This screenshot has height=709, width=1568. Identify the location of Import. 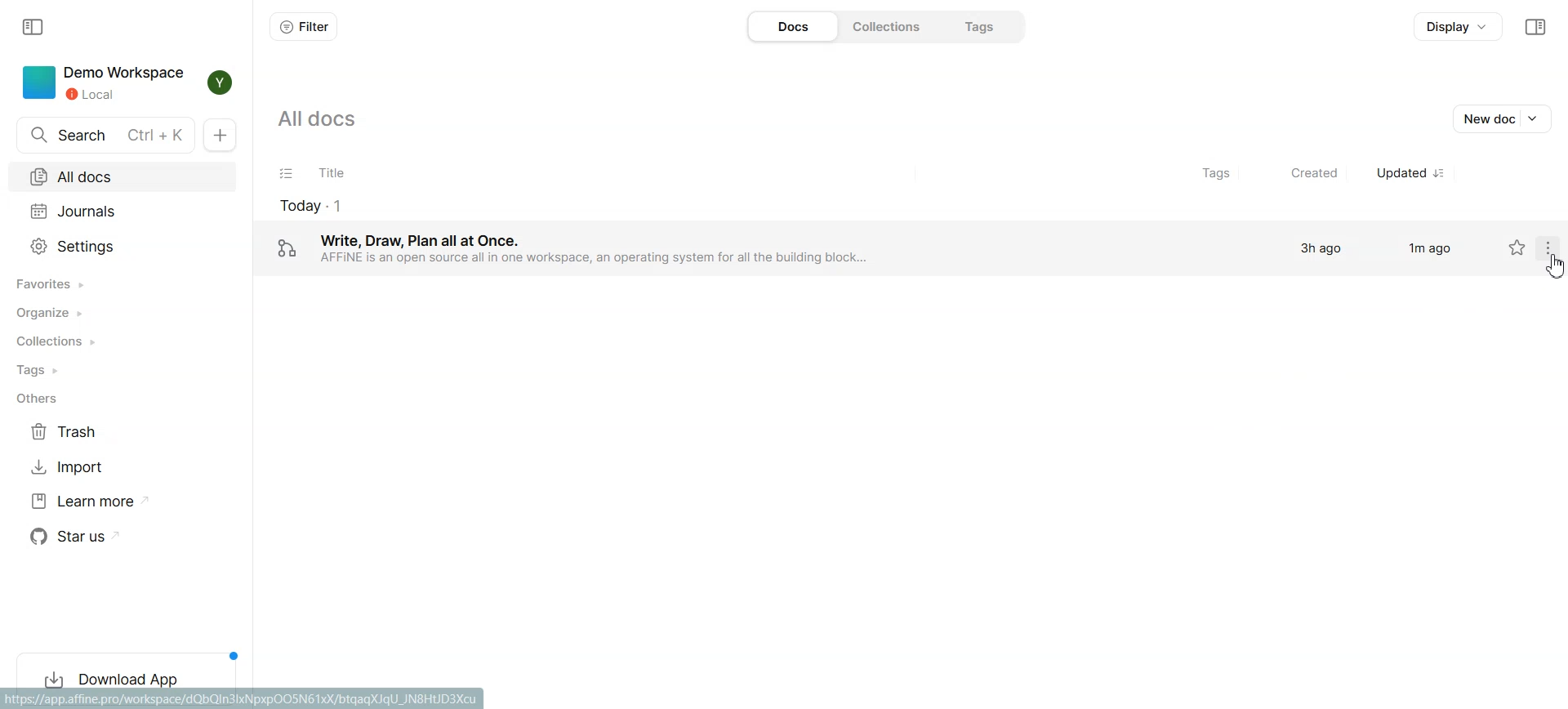
(107, 468).